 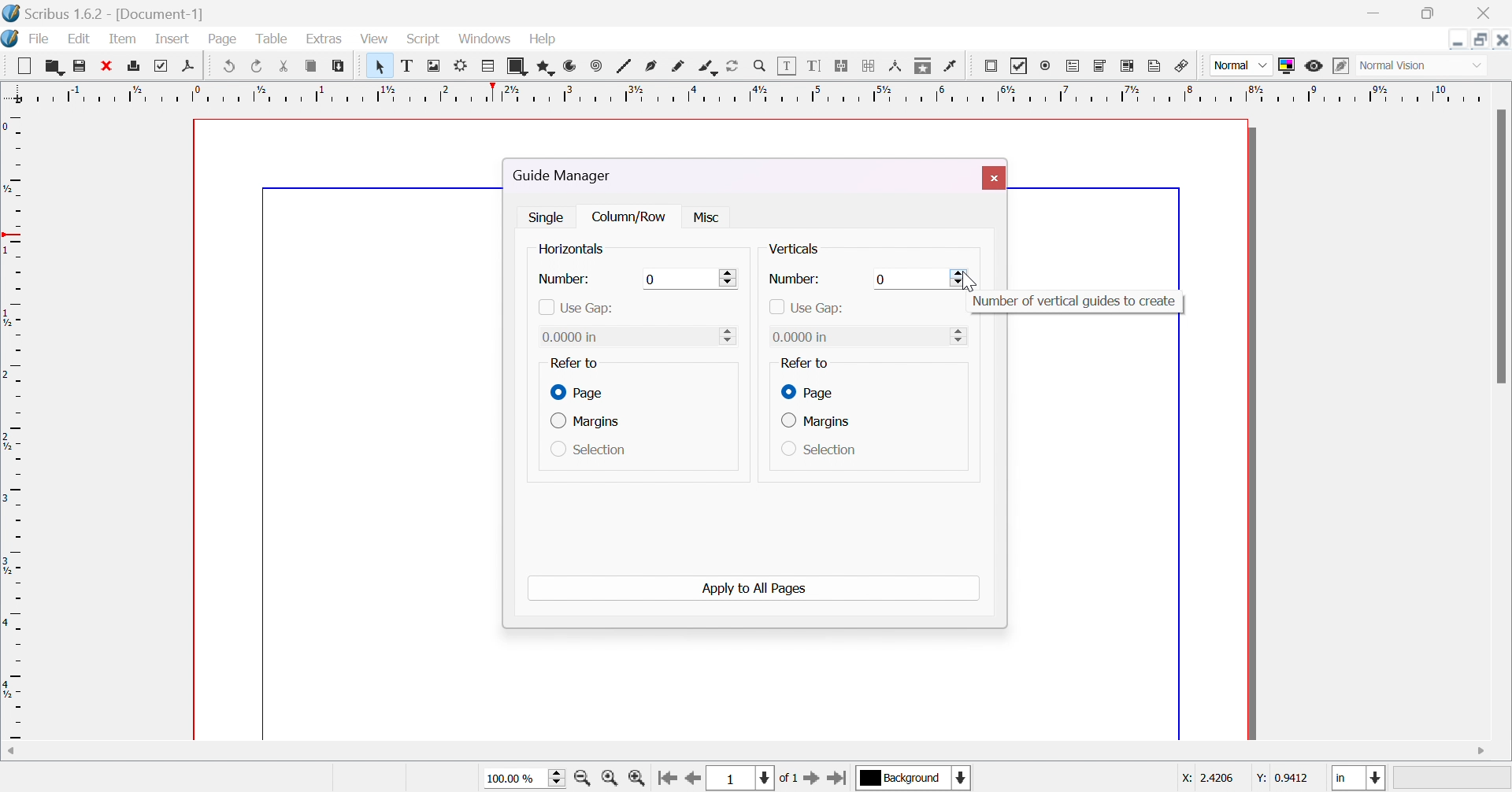 I want to click on go to next page, so click(x=812, y=779).